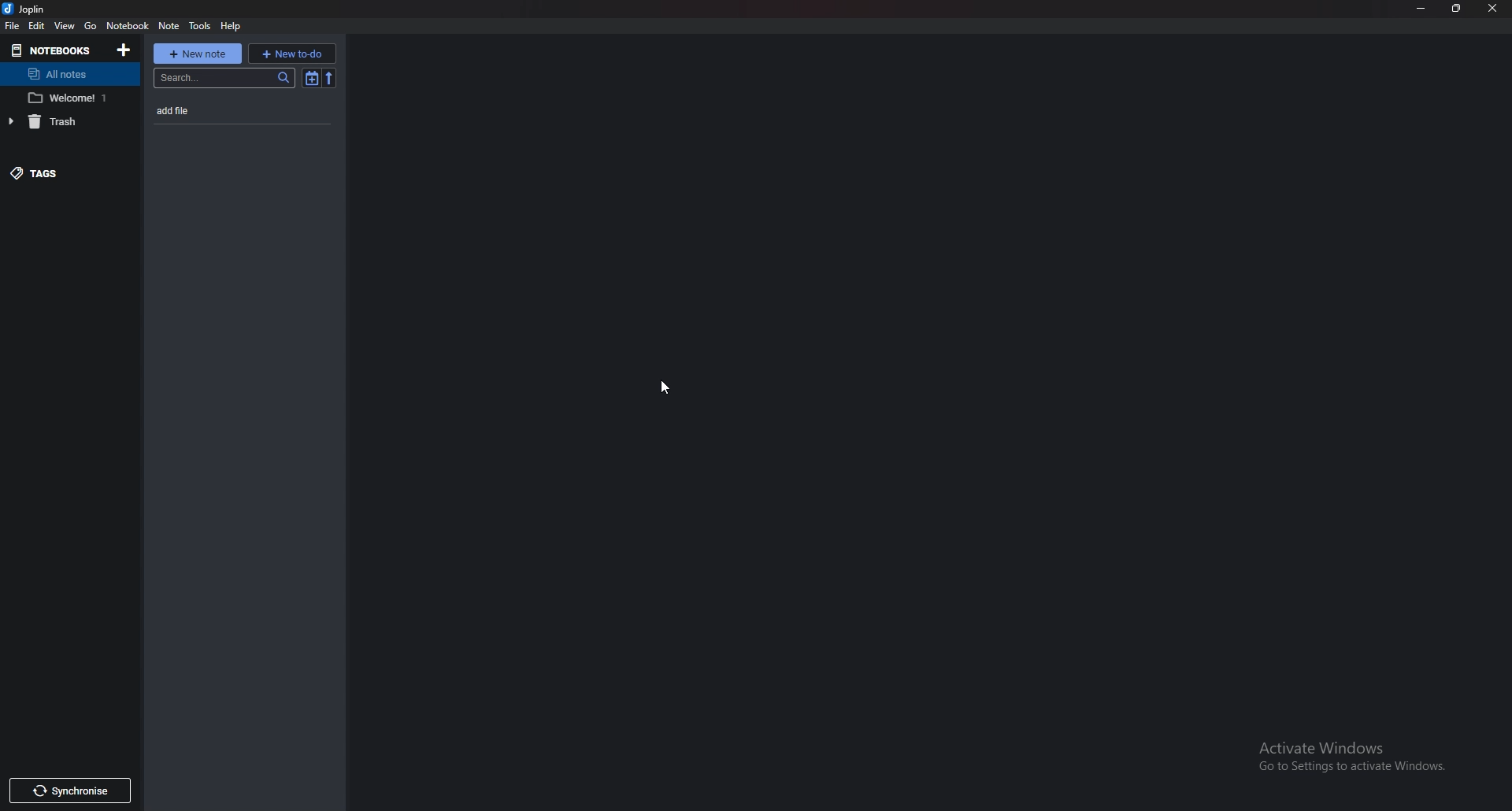  What do you see at coordinates (198, 54) in the screenshot?
I see `New note` at bounding box center [198, 54].